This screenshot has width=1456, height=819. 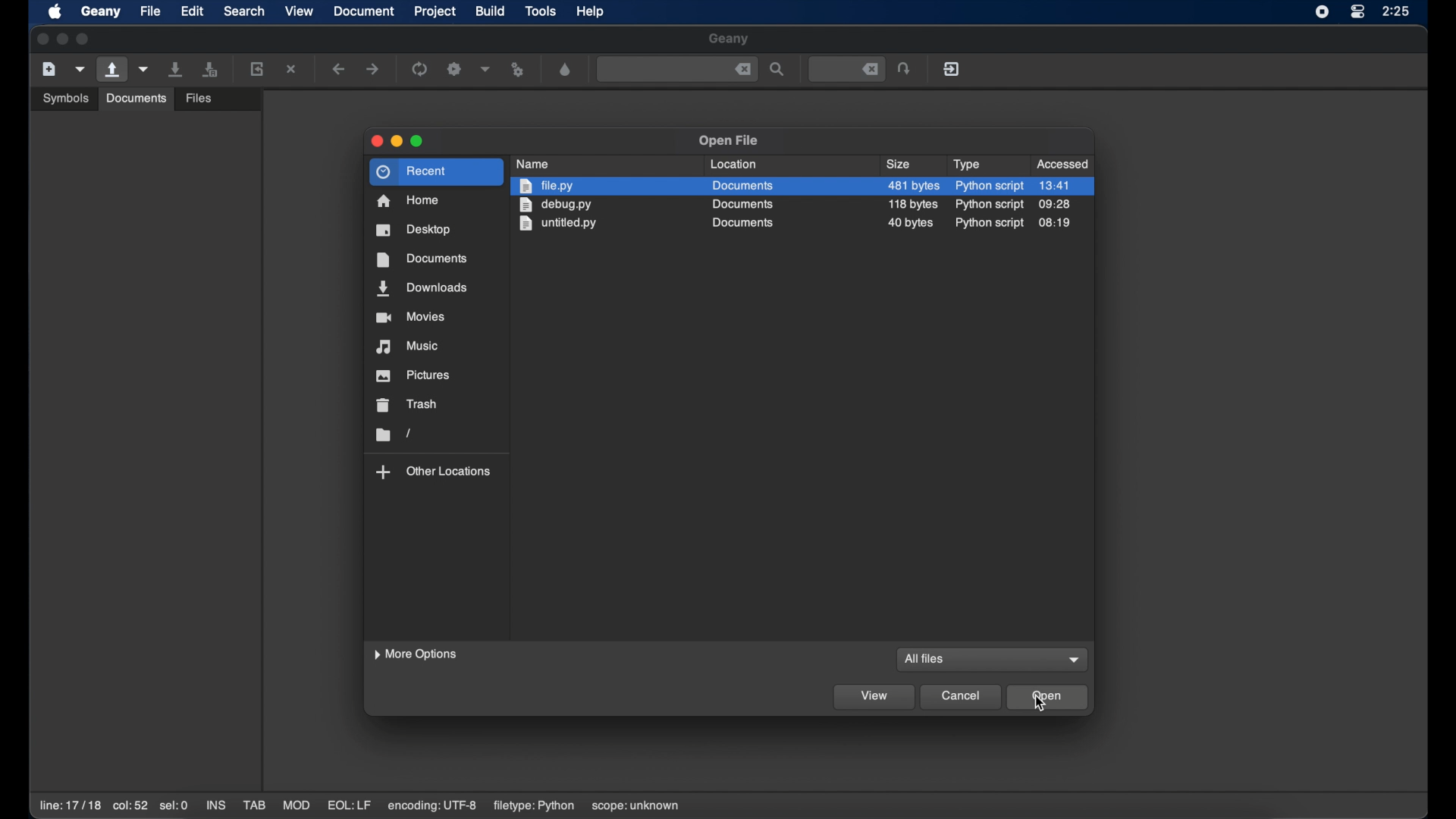 I want to click on documents, so click(x=745, y=186).